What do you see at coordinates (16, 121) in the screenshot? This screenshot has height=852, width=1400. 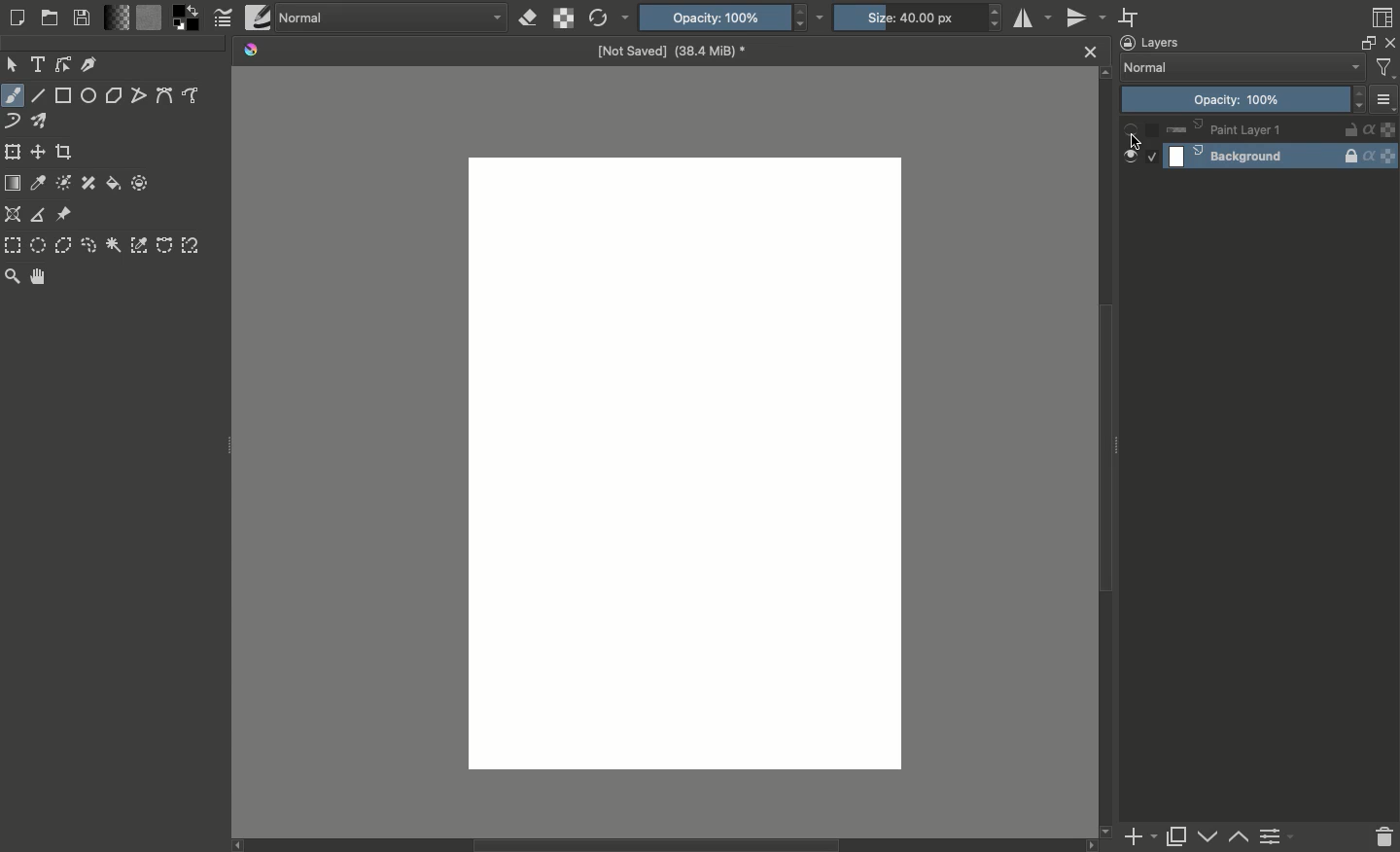 I see `Dynamic brush` at bounding box center [16, 121].